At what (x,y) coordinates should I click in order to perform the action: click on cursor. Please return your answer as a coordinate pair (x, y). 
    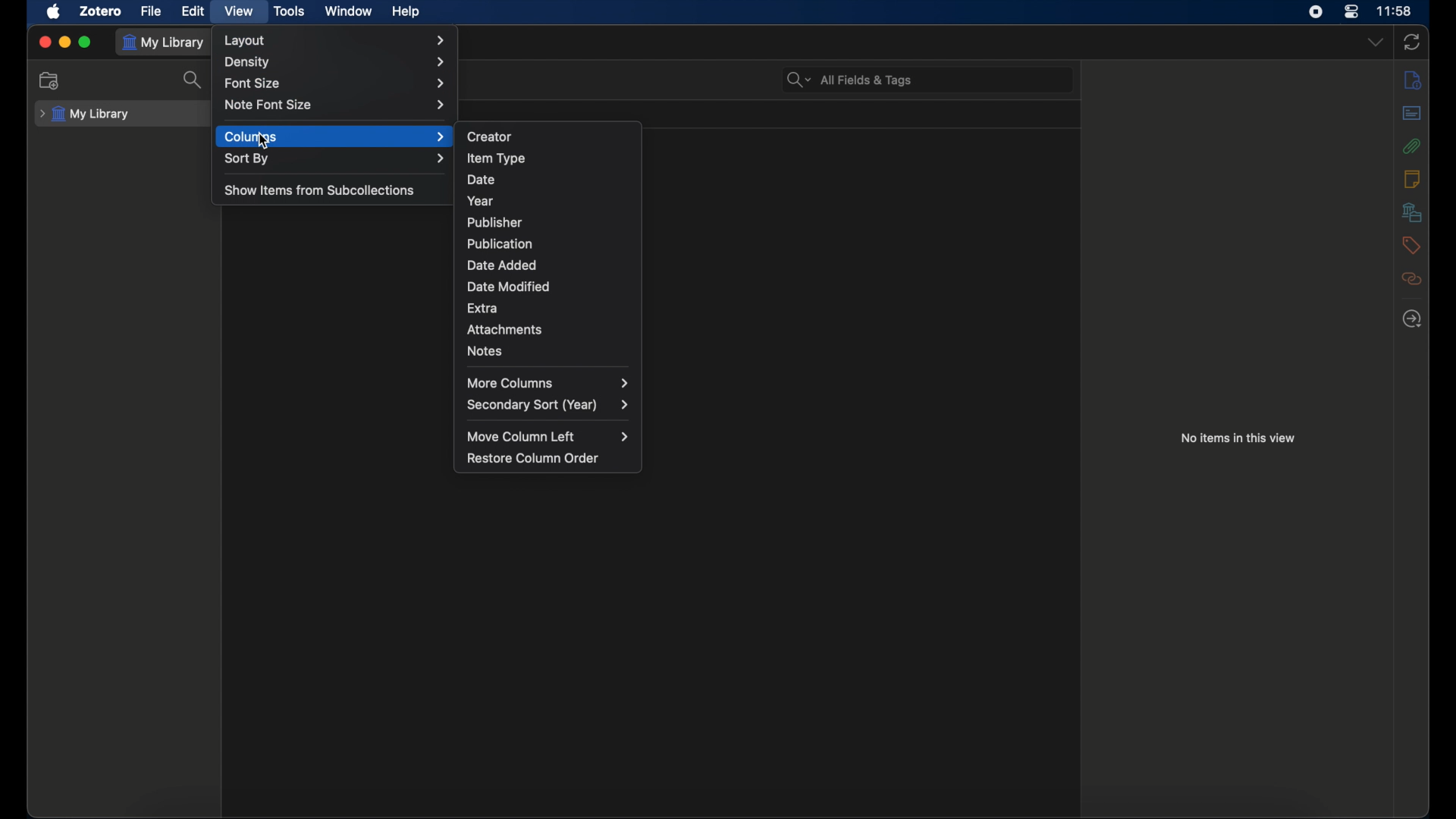
    Looking at the image, I should click on (264, 143).